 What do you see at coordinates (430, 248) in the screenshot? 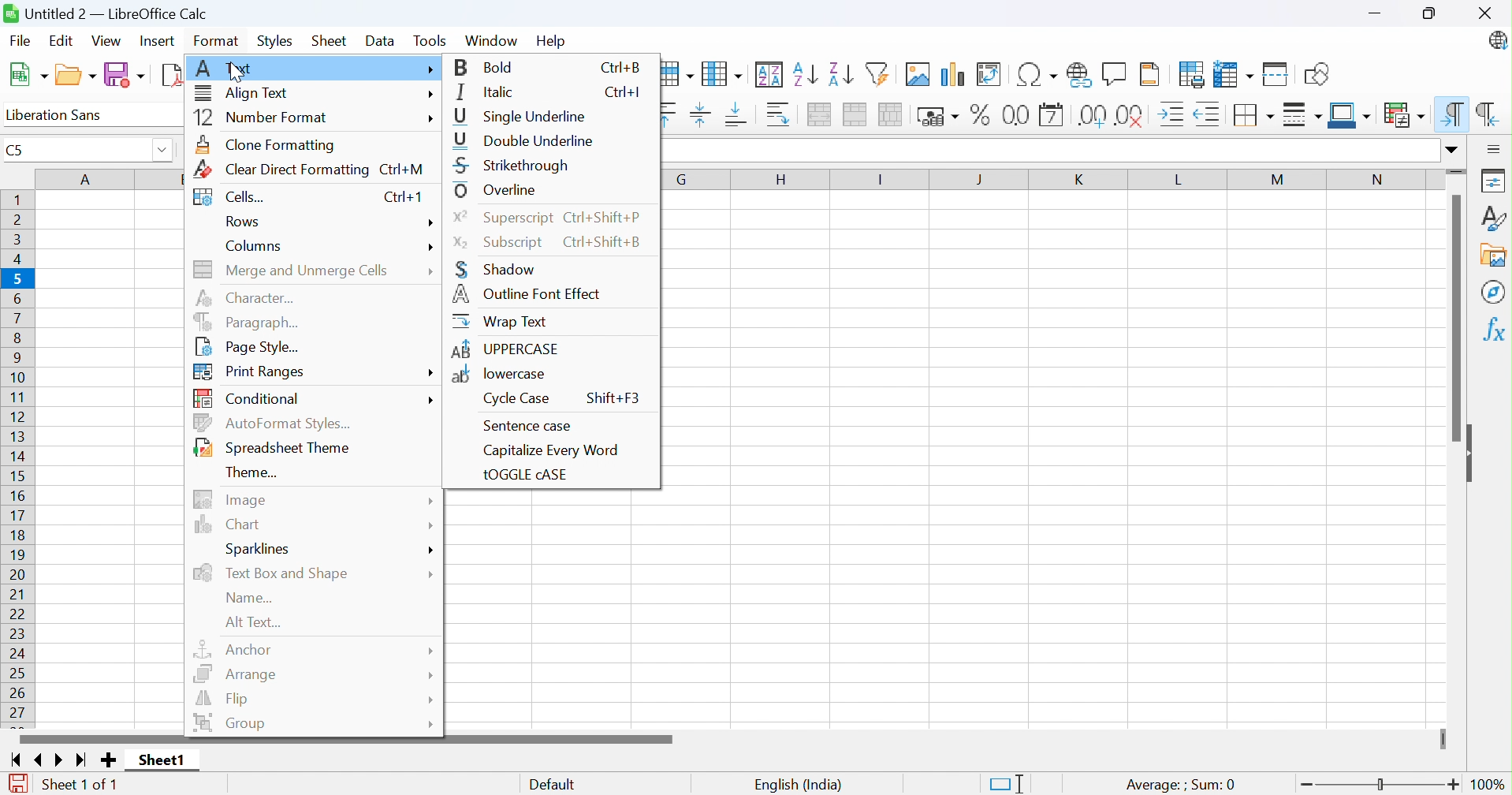
I see `More` at bounding box center [430, 248].